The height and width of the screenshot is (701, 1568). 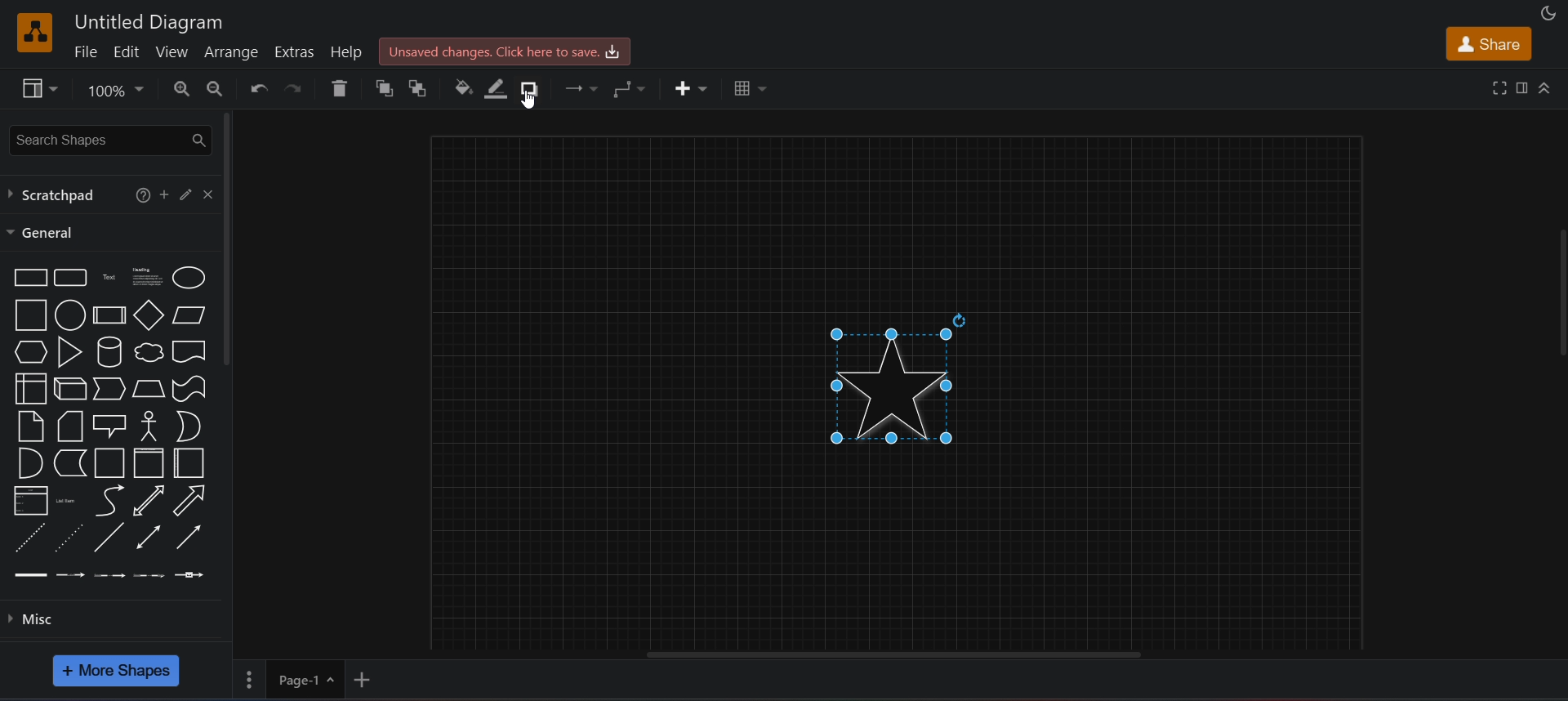 What do you see at coordinates (109, 574) in the screenshot?
I see `Connector with 2 labels` at bounding box center [109, 574].